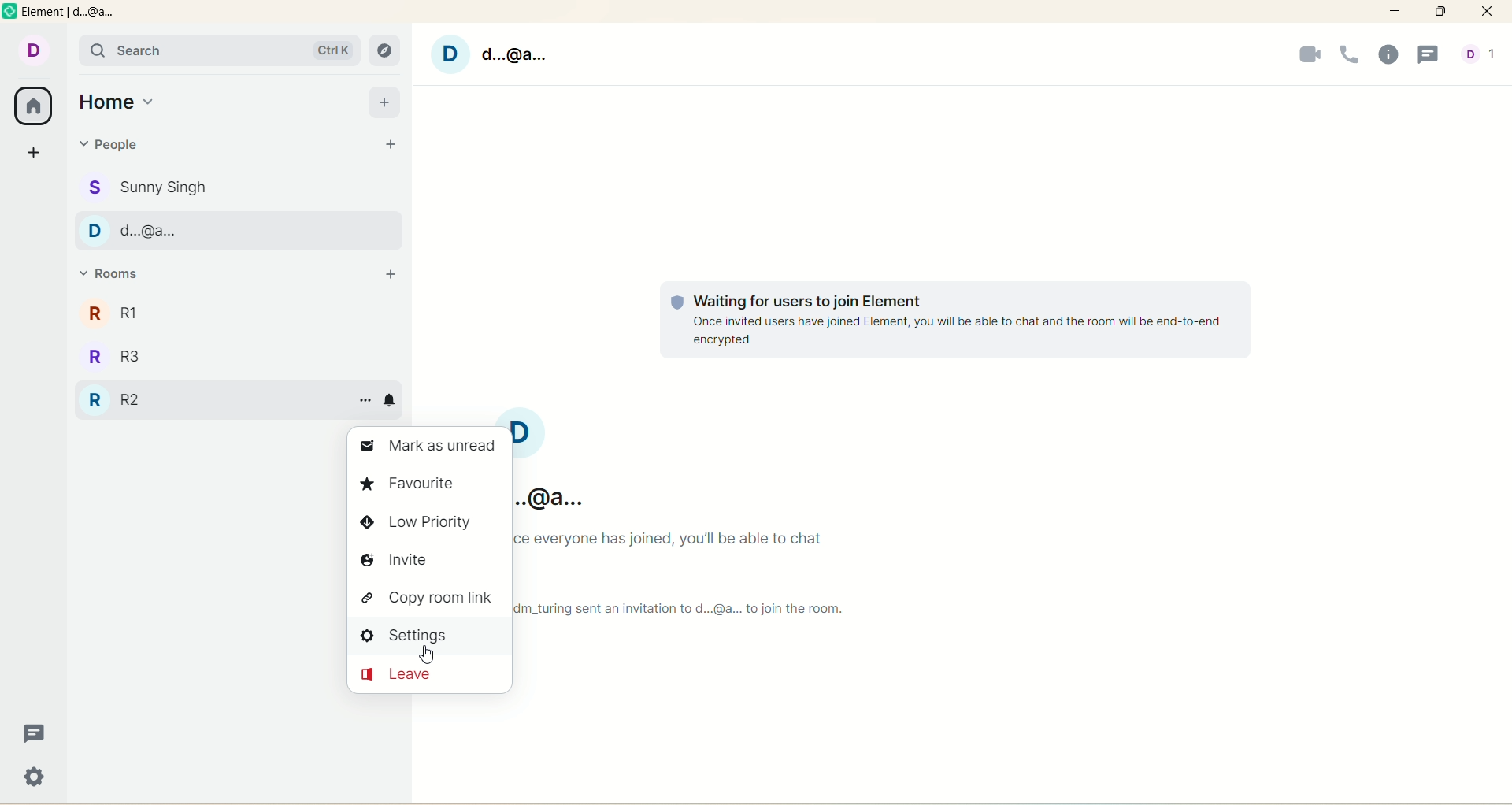  What do you see at coordinates (428, 596) in the screenshot?
I see `copy room link` at bounding box center [428, 596].